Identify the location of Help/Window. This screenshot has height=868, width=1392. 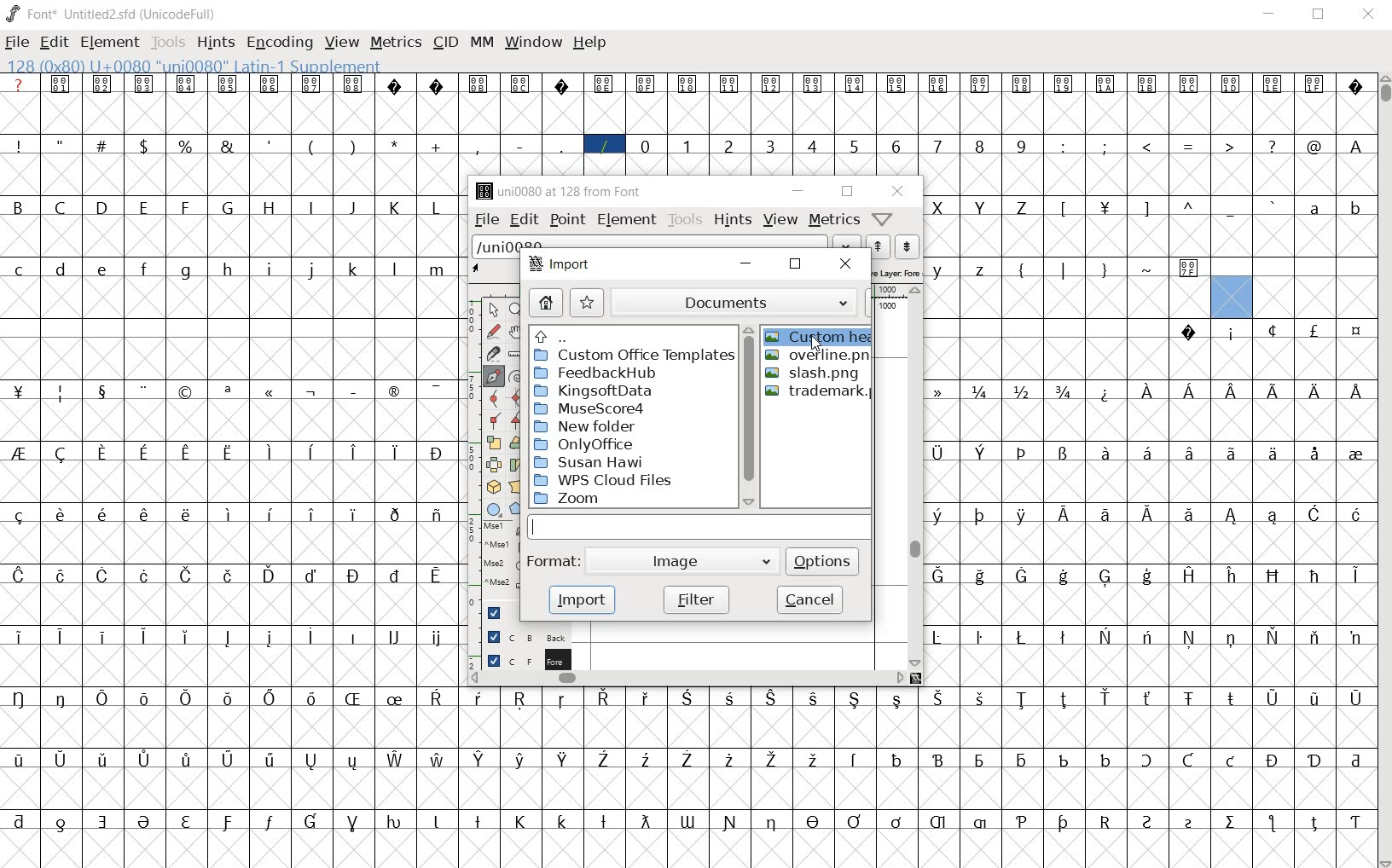
(884, 217).